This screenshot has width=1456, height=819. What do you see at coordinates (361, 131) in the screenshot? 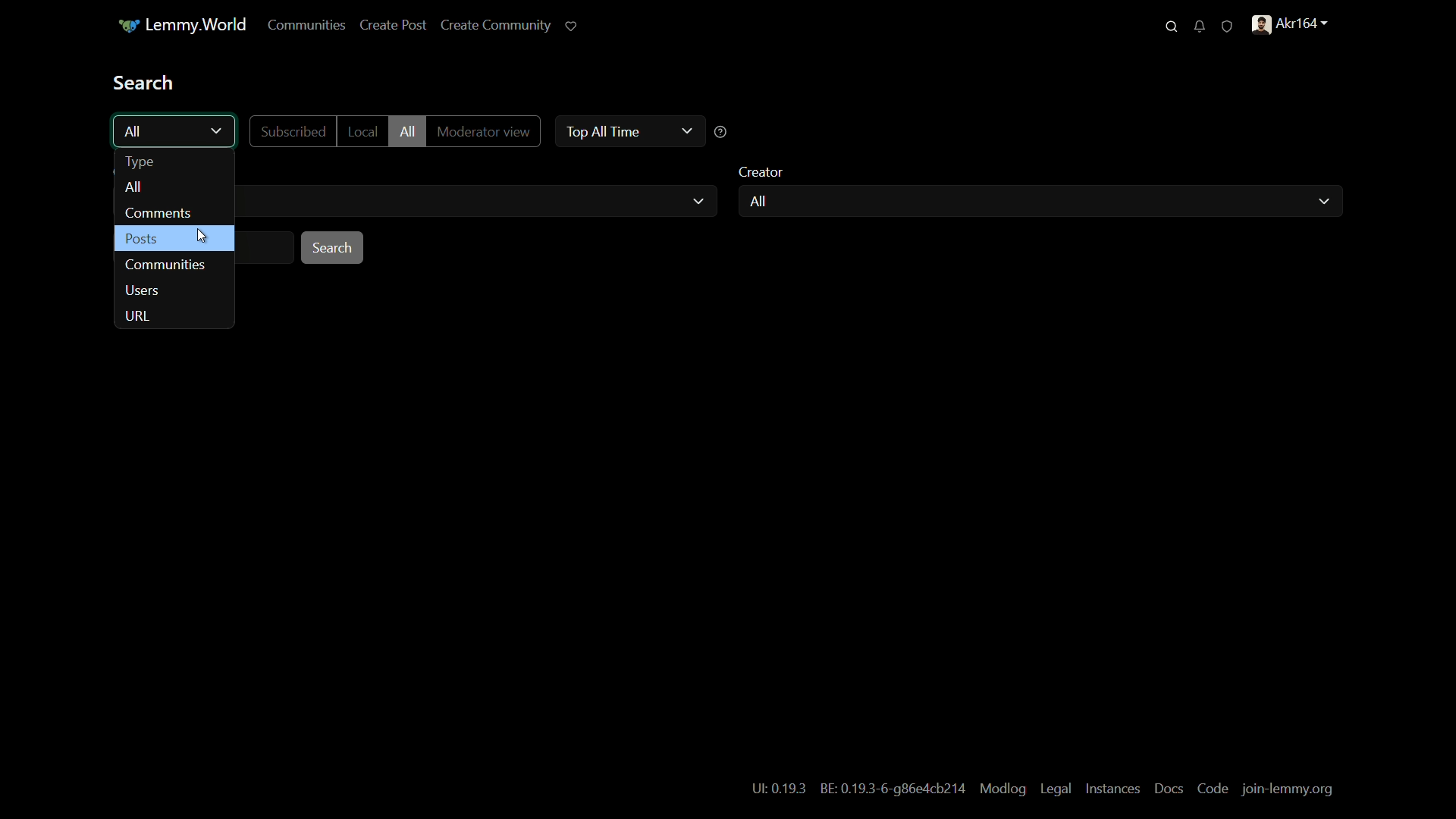
I see `local` at bounding box center [361, 131].